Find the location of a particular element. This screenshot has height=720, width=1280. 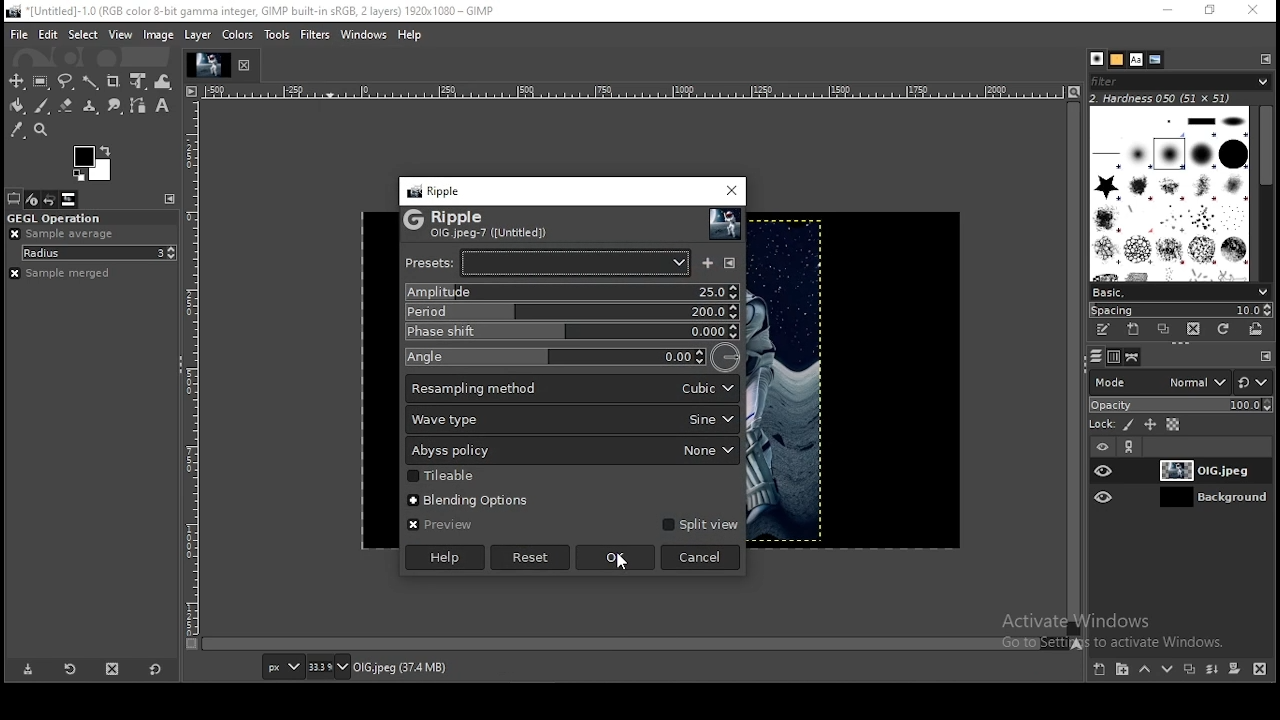

undo history is located at coordinates (51, 200).